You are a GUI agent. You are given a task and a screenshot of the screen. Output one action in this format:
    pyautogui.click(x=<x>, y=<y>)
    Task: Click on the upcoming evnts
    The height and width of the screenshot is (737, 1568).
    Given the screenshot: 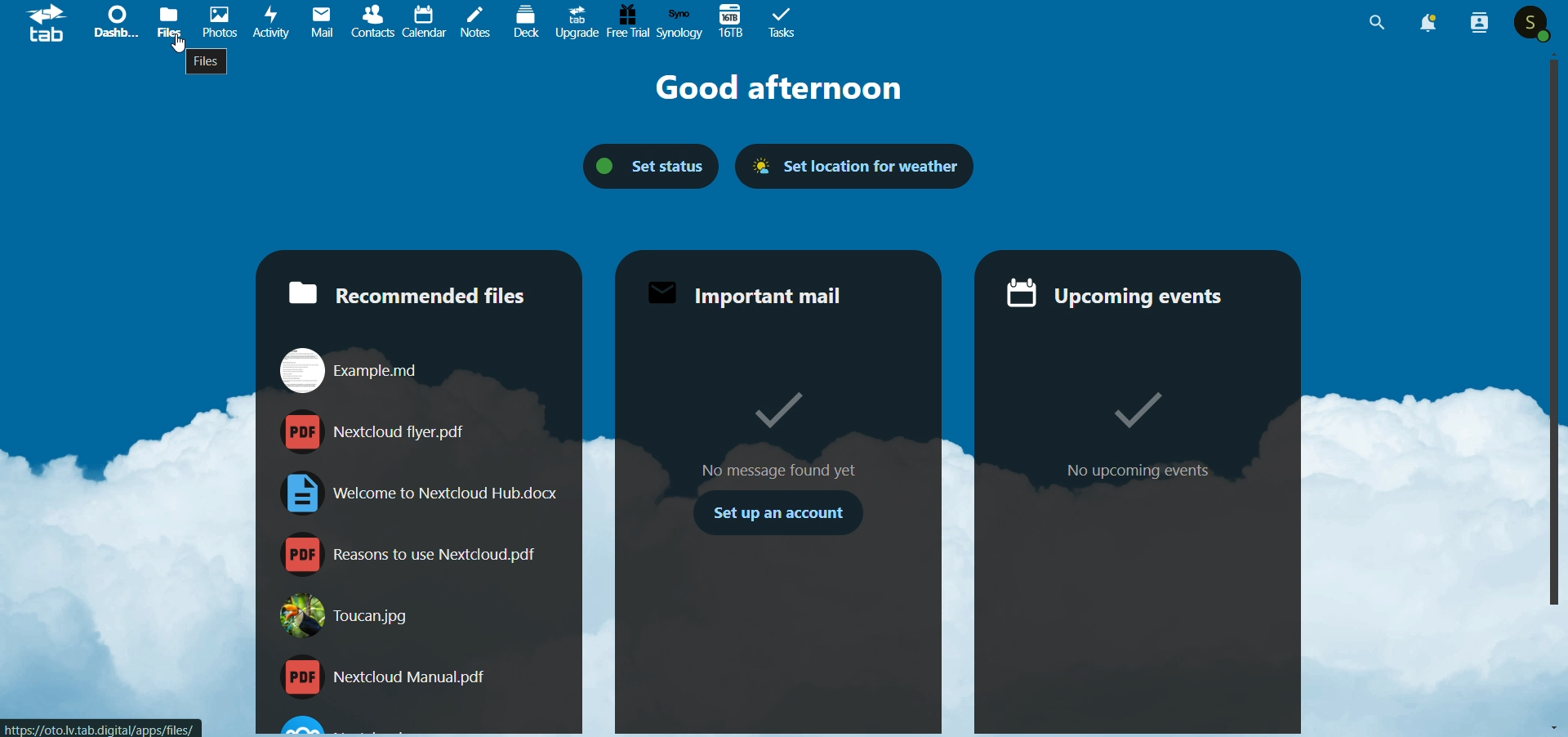 What is the action you would take?
    pyautogui.click(x=1111, y=289)
    